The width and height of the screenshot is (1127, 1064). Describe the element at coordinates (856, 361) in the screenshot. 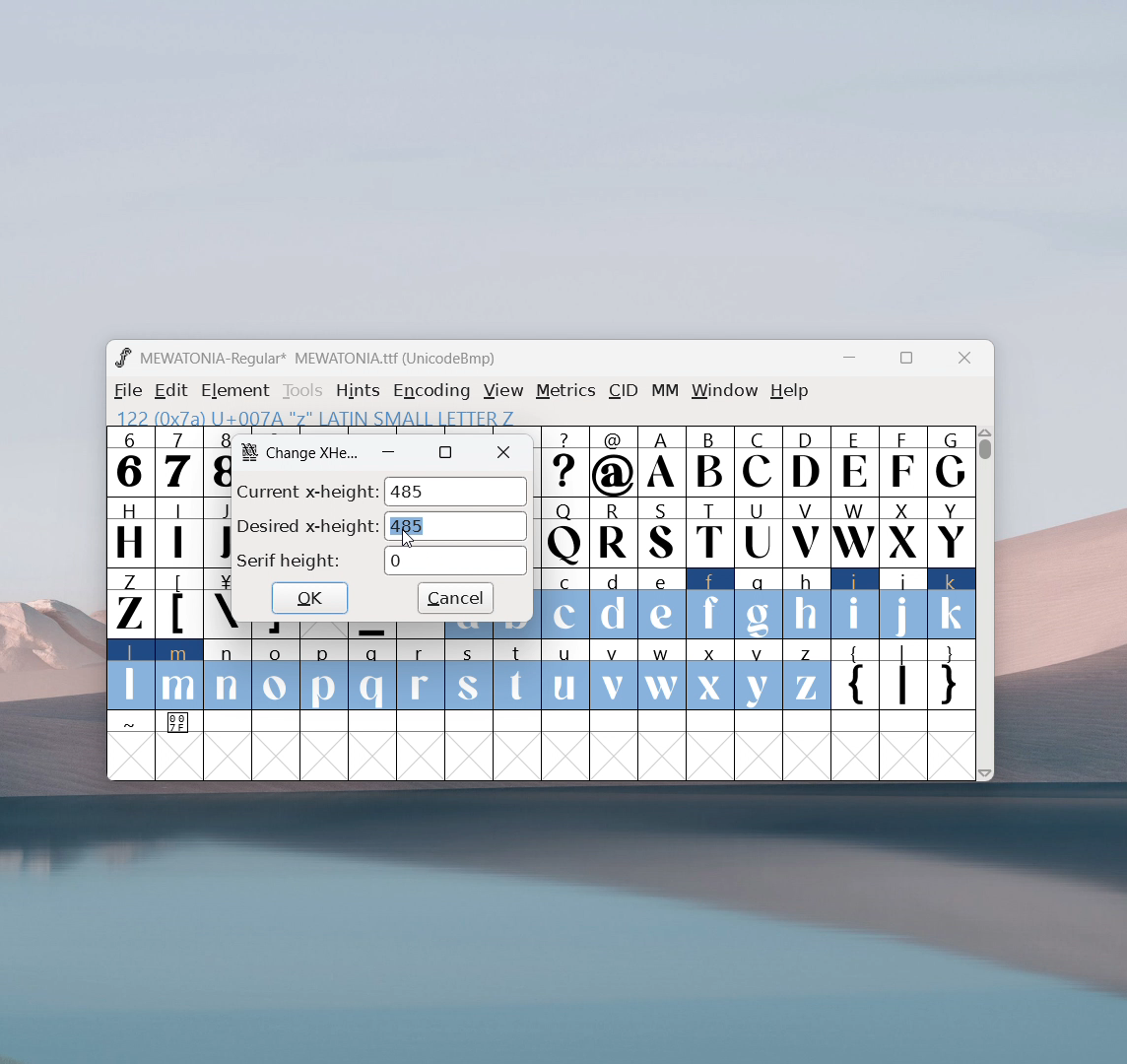

I see `minimize` at that location.